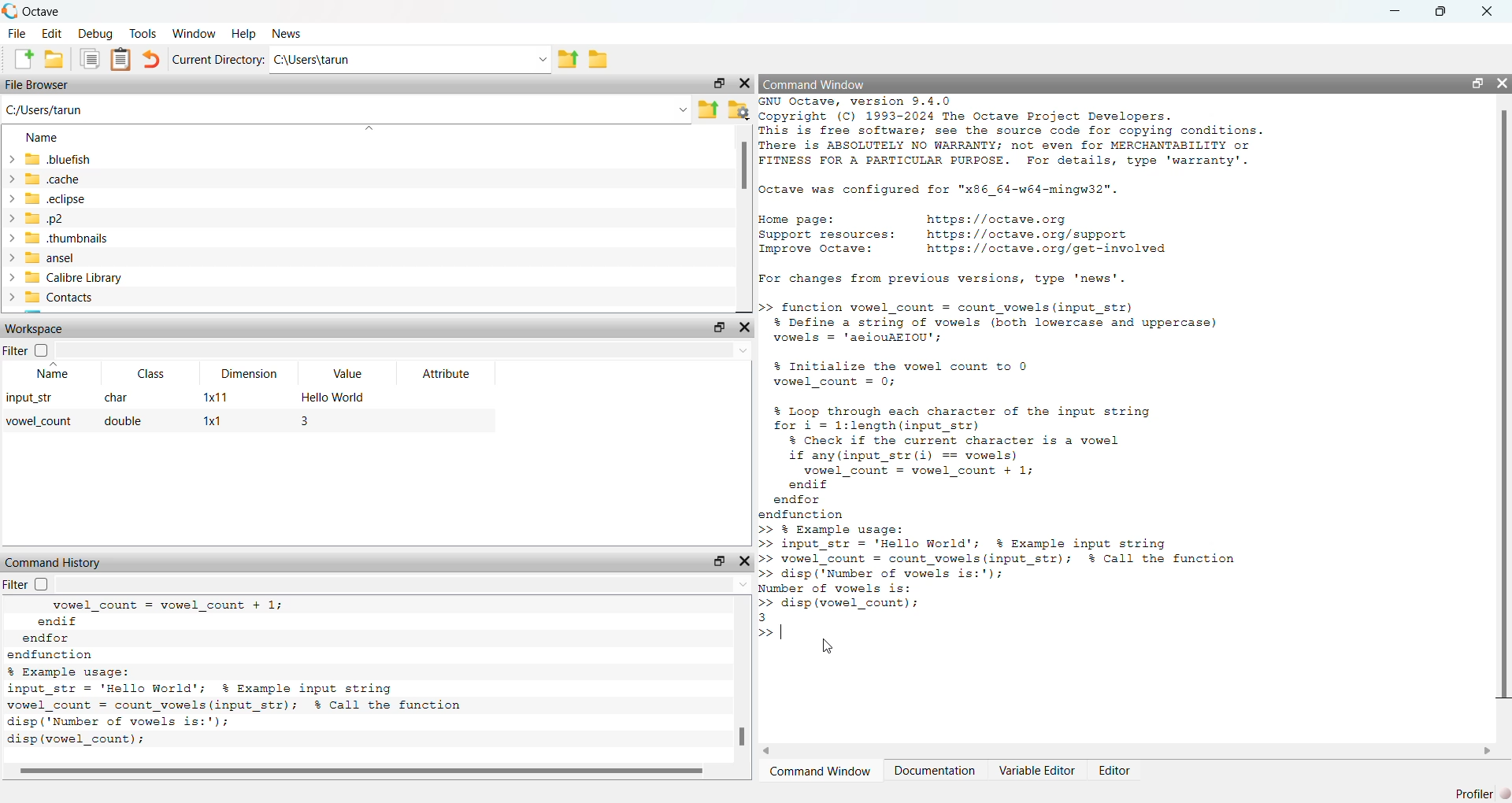 This screenshot has width=1512, height=803. What do you see at coordinates (62, 298) in the screenshot?
I see `Contacts` at bounding box center [62, 298].